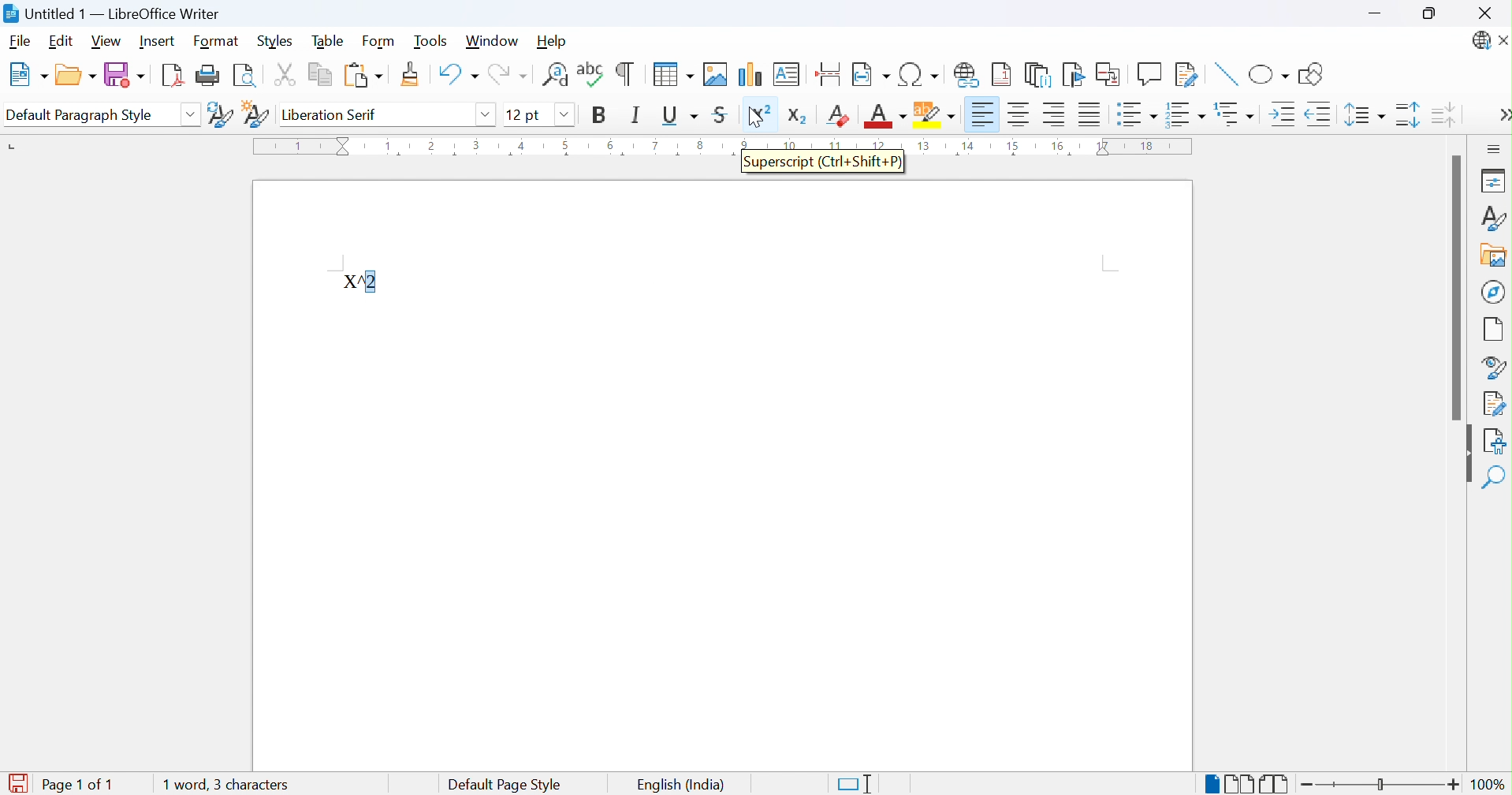 The height and width of the screenshot is (795, 1512). I want to click on Update selected style, so click(220, 114).